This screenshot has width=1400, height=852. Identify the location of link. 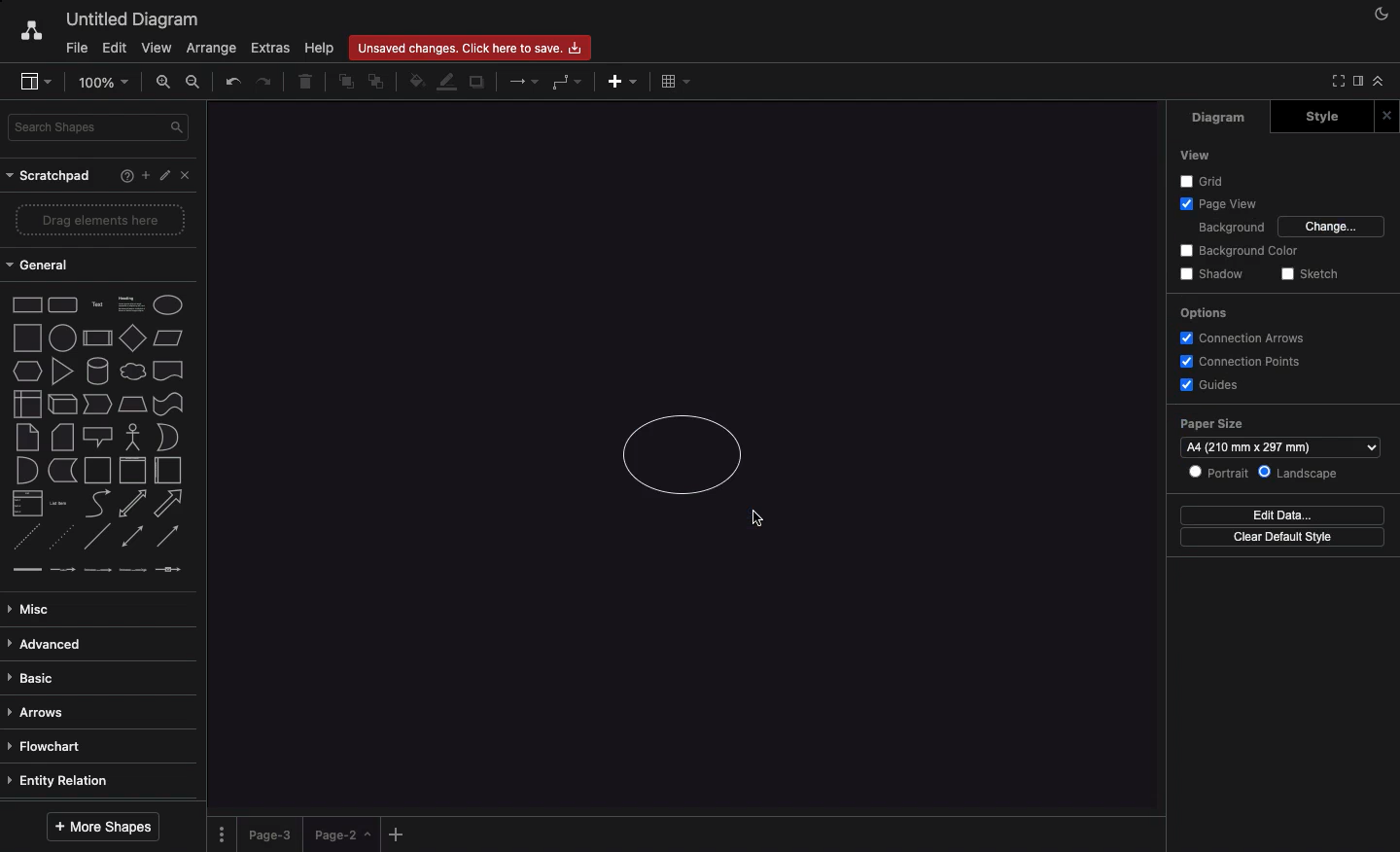
(26, 569).